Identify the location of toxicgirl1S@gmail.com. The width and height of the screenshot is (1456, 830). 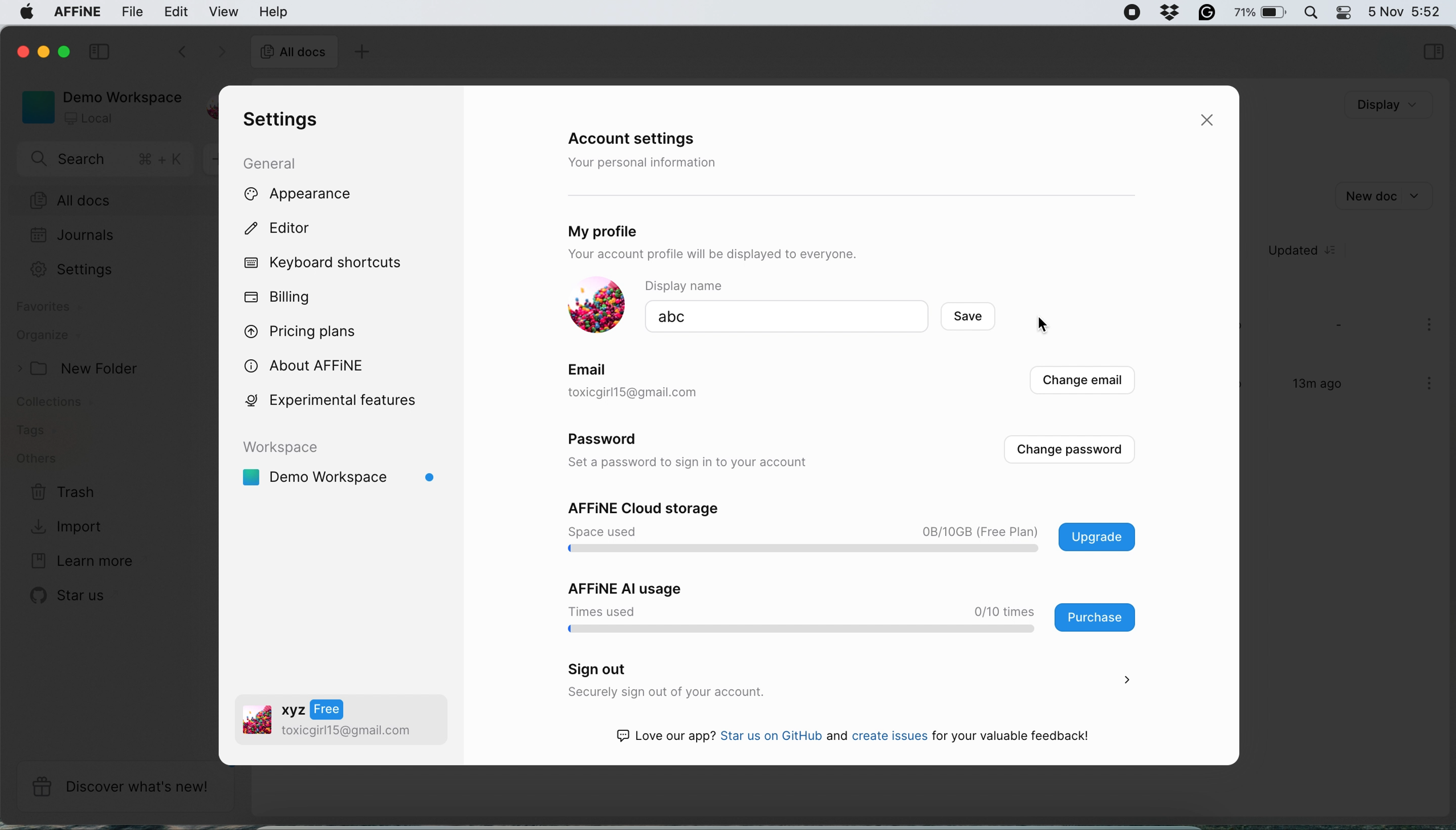
(654, 393).